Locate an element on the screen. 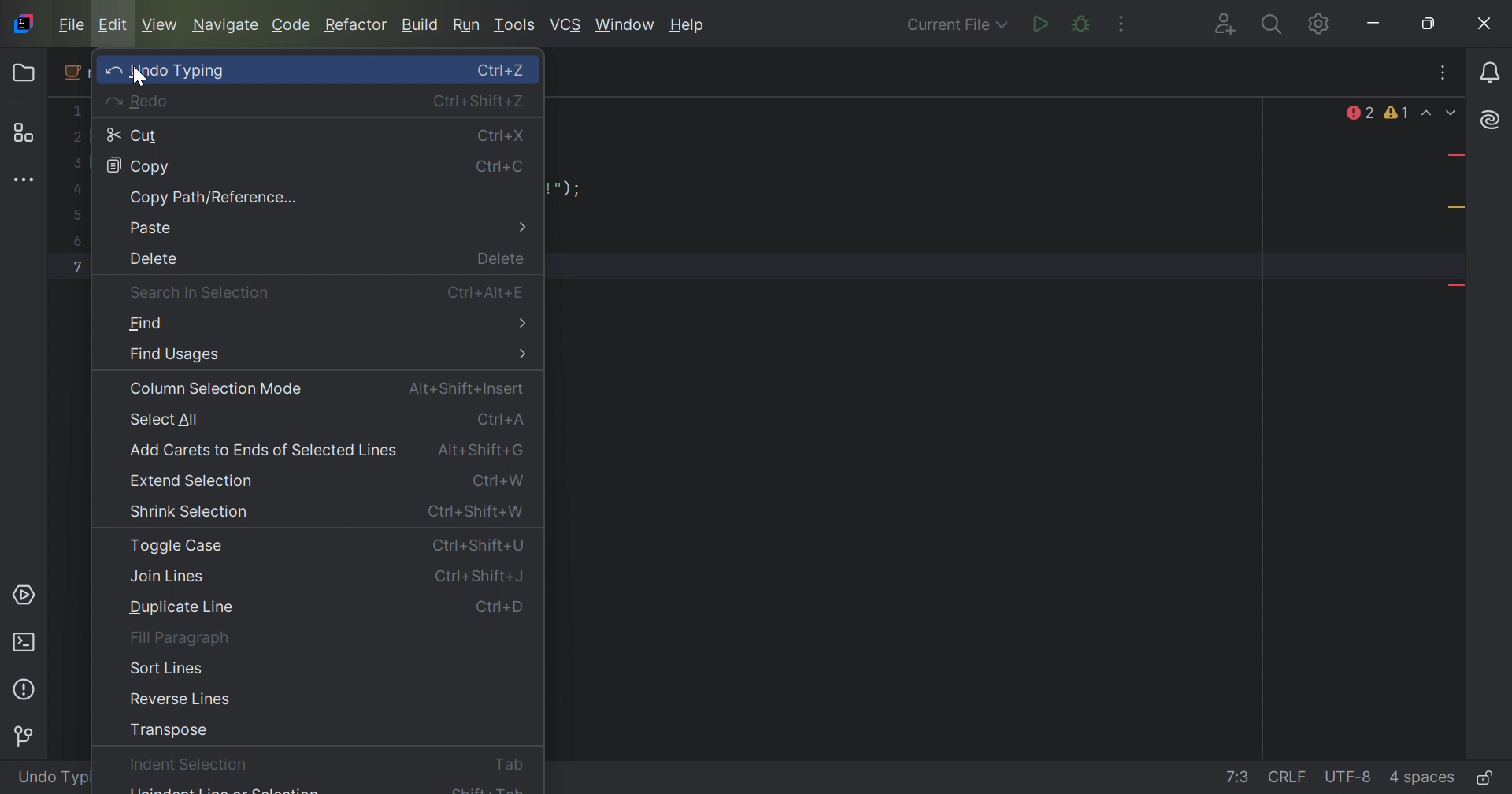  More Actions is located at coordinates (1125, 24).